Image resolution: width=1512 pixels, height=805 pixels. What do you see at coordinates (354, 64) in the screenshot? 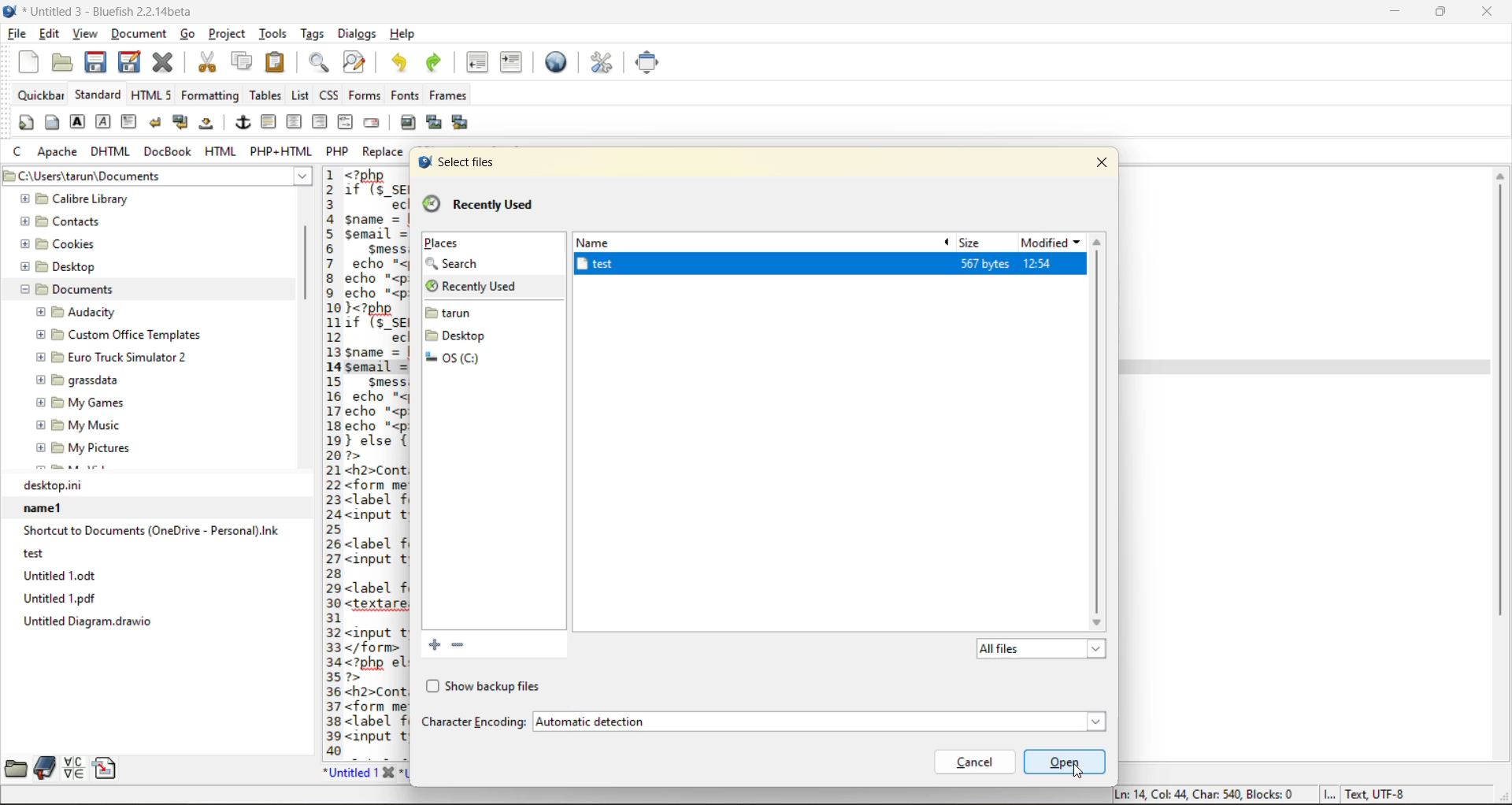
I see `find and replace` at bounding box center [354, 64].